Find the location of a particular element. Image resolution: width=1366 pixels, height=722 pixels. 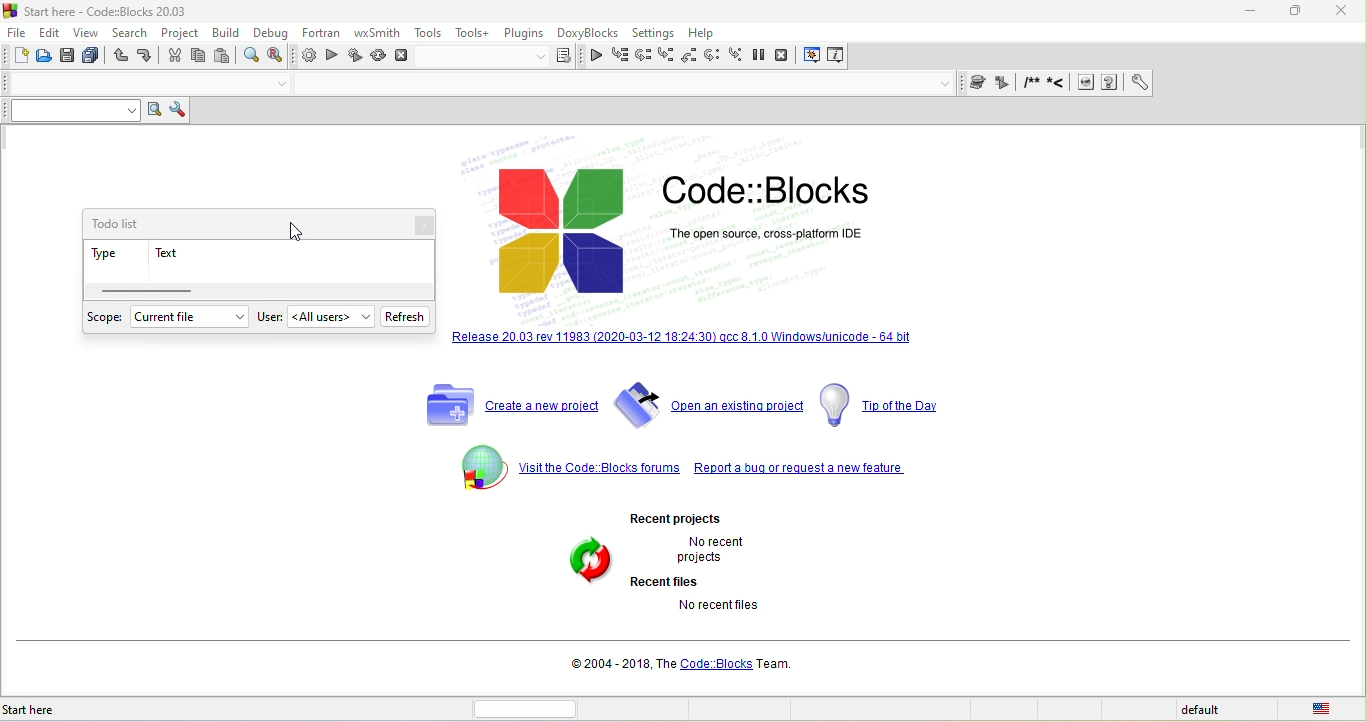

view is located at coordinates (88, 33).